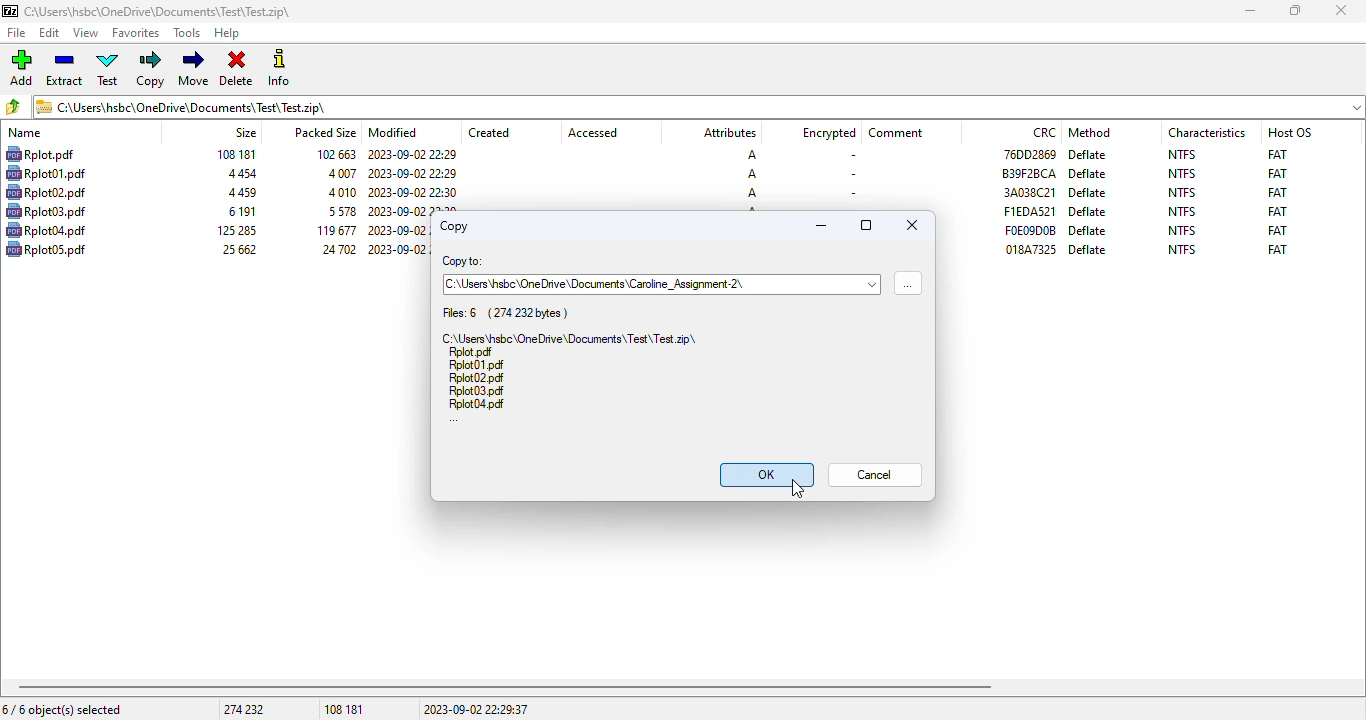 The height and width of the screenshot is (720, 1366). I want to click on .zip archive, so click(699, 106).